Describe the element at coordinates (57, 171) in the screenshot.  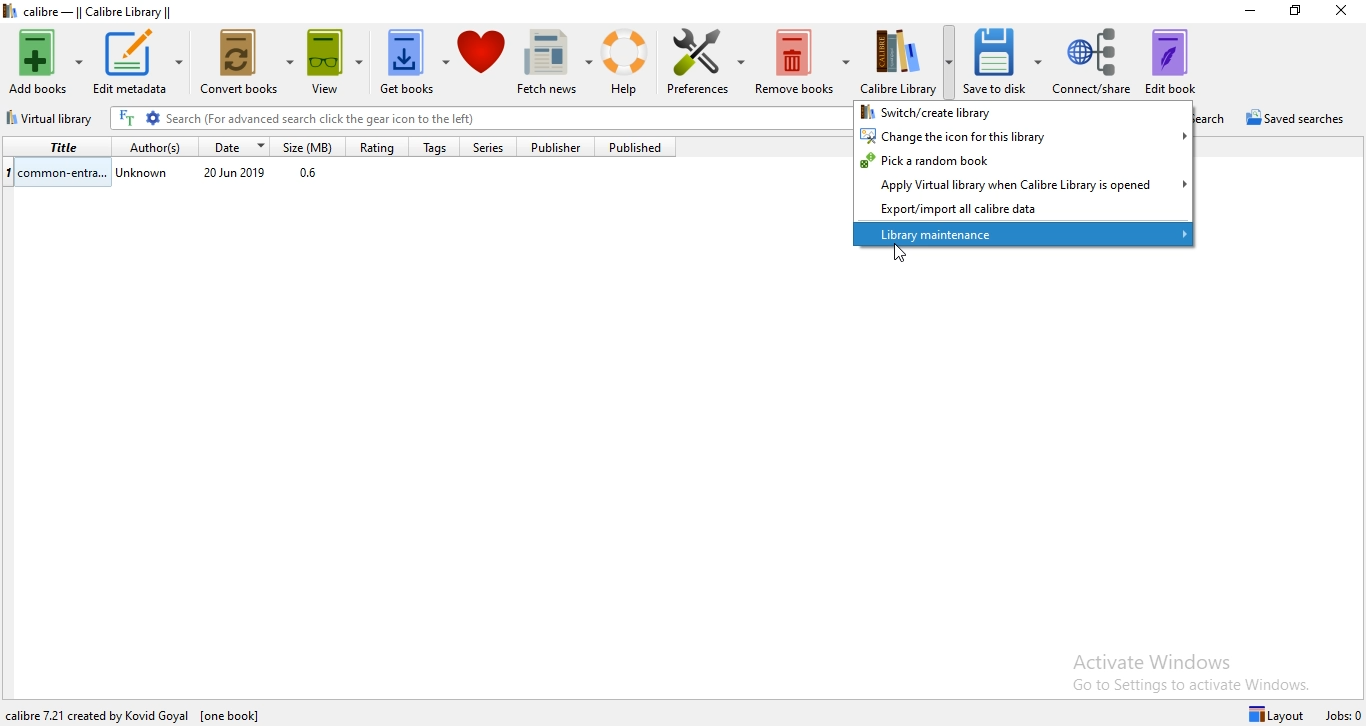
I see `common-entra...` at that location.